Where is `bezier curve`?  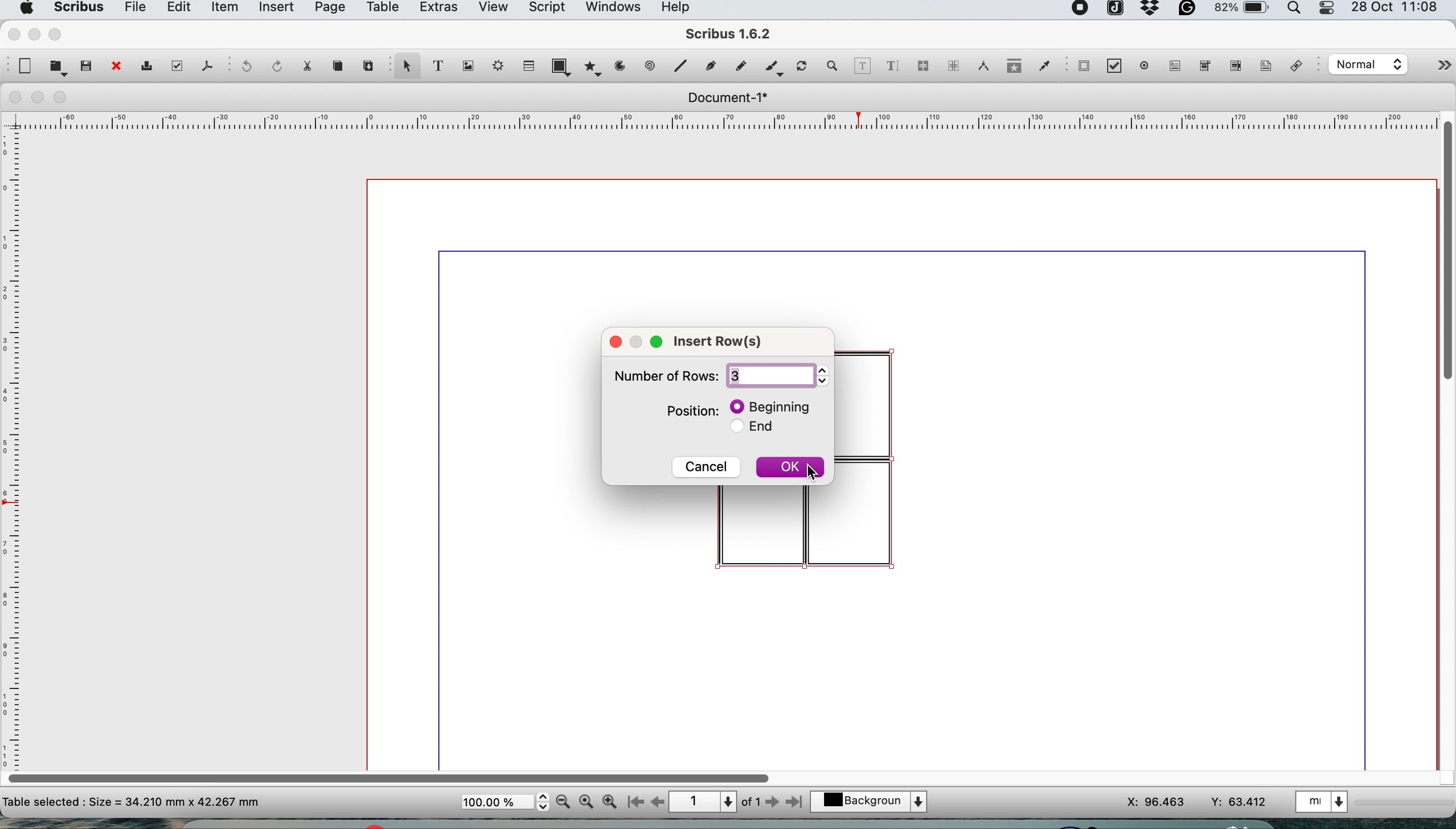
bezier curve is located at coordinates (709, 68).